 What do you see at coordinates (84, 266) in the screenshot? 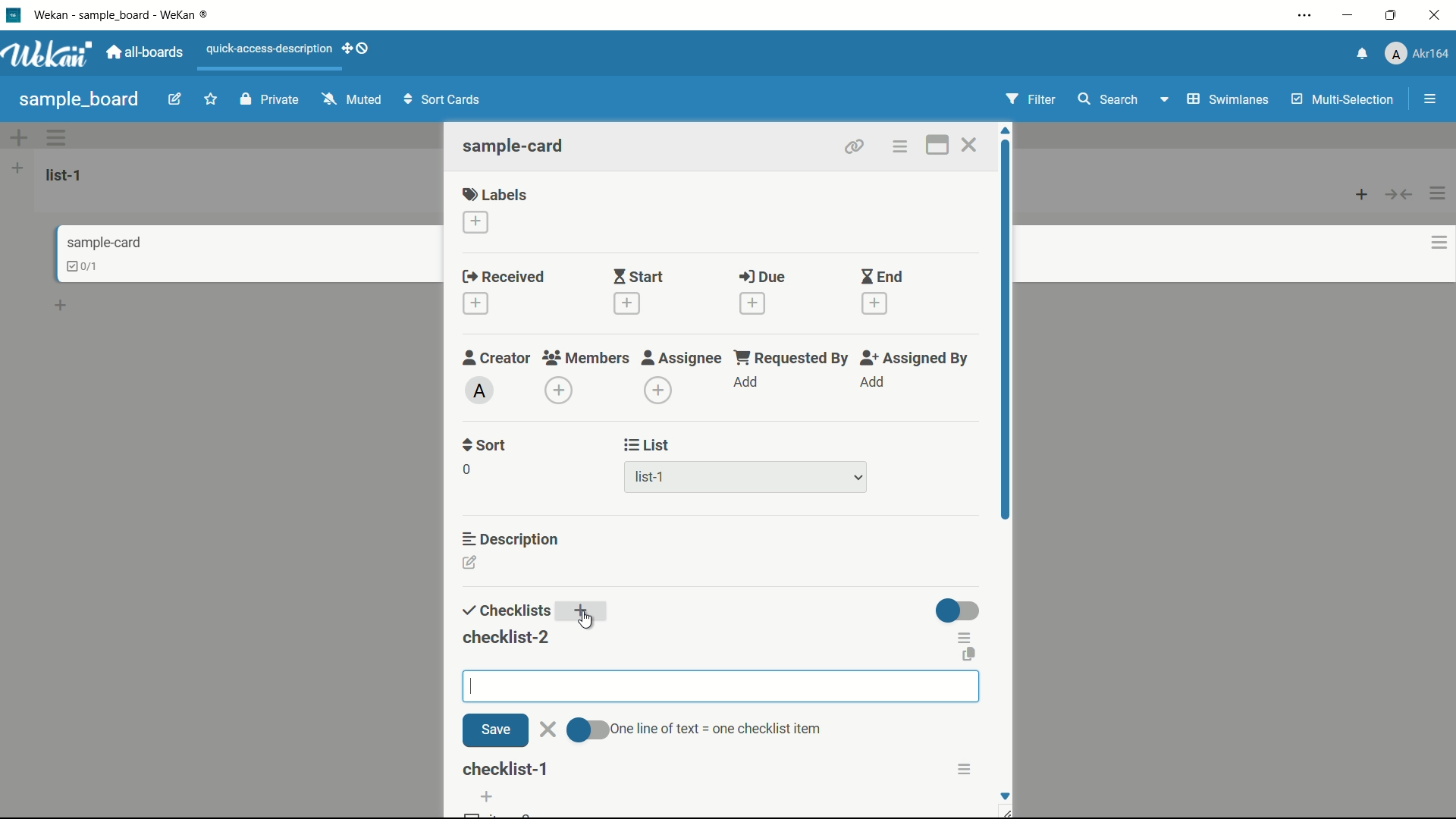
I see `cklist` at bounding box center [84, 266].